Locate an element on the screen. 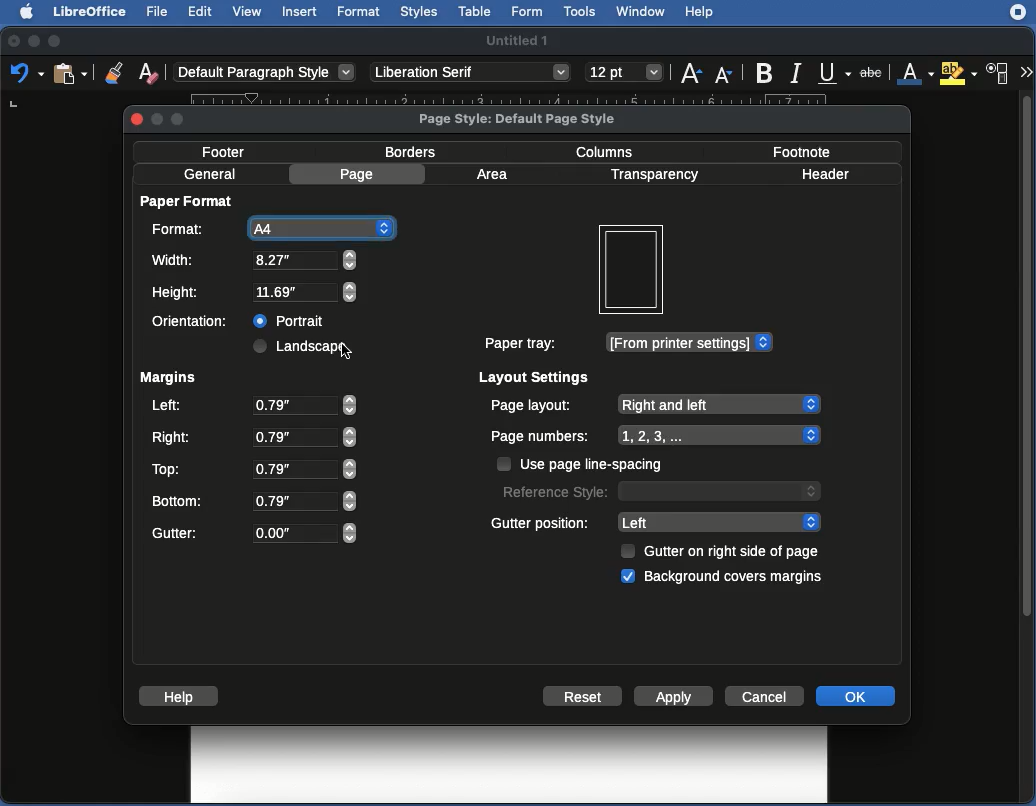 The width and height of the screenshot is (1036, 806). Reset is located at coordinates (585, 696).